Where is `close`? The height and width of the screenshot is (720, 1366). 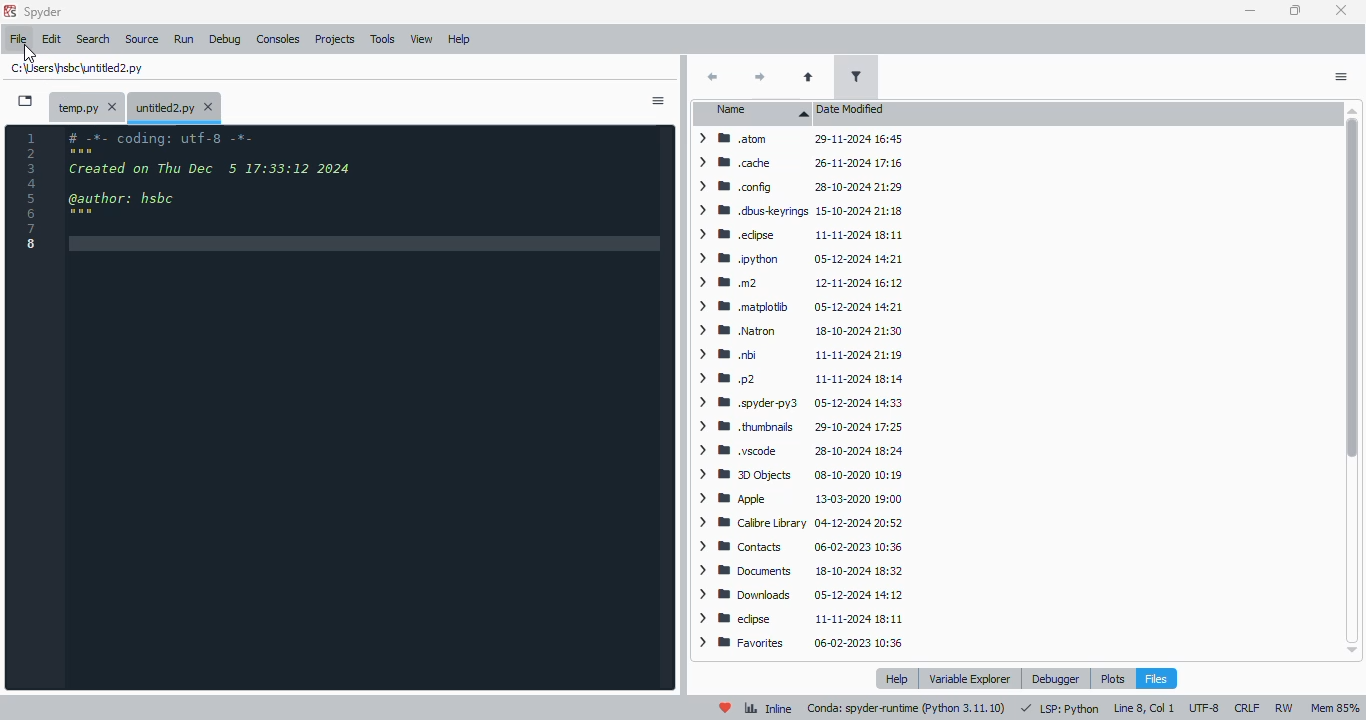 close is located at coordinates (1342, 10).